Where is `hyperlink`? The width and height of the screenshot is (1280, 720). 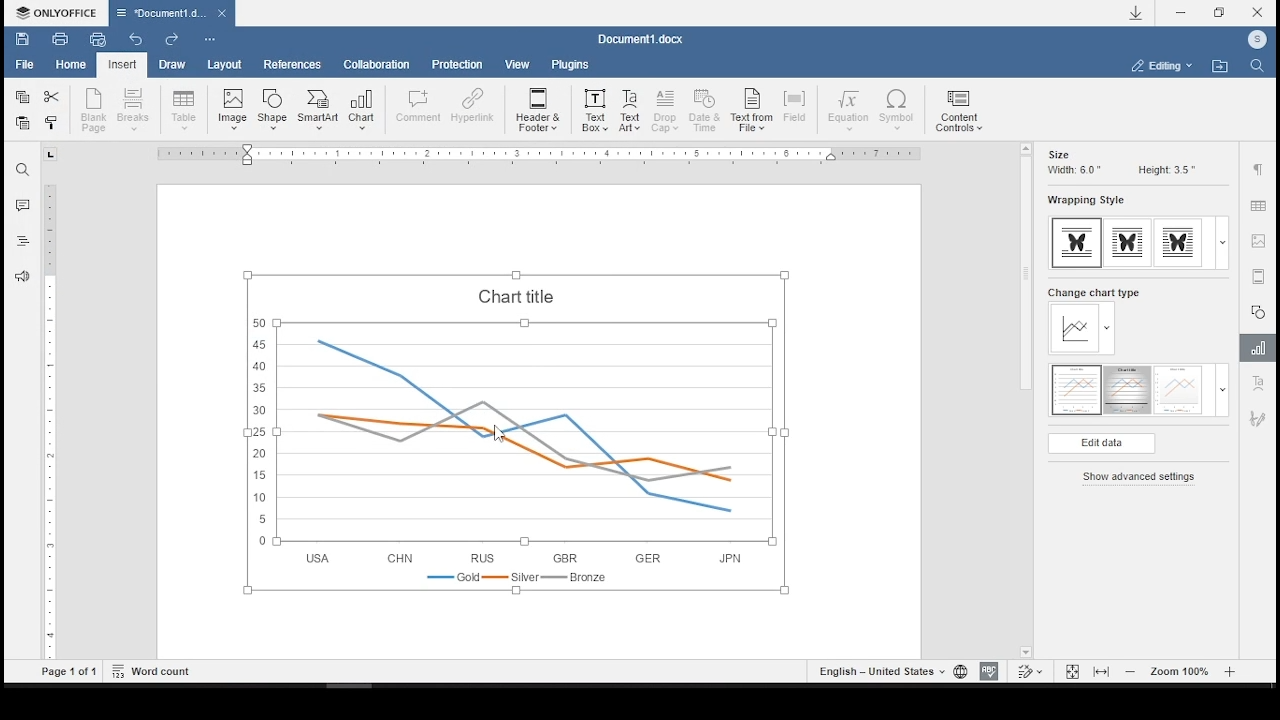
hyperlink is located at coordinates (472, 108).